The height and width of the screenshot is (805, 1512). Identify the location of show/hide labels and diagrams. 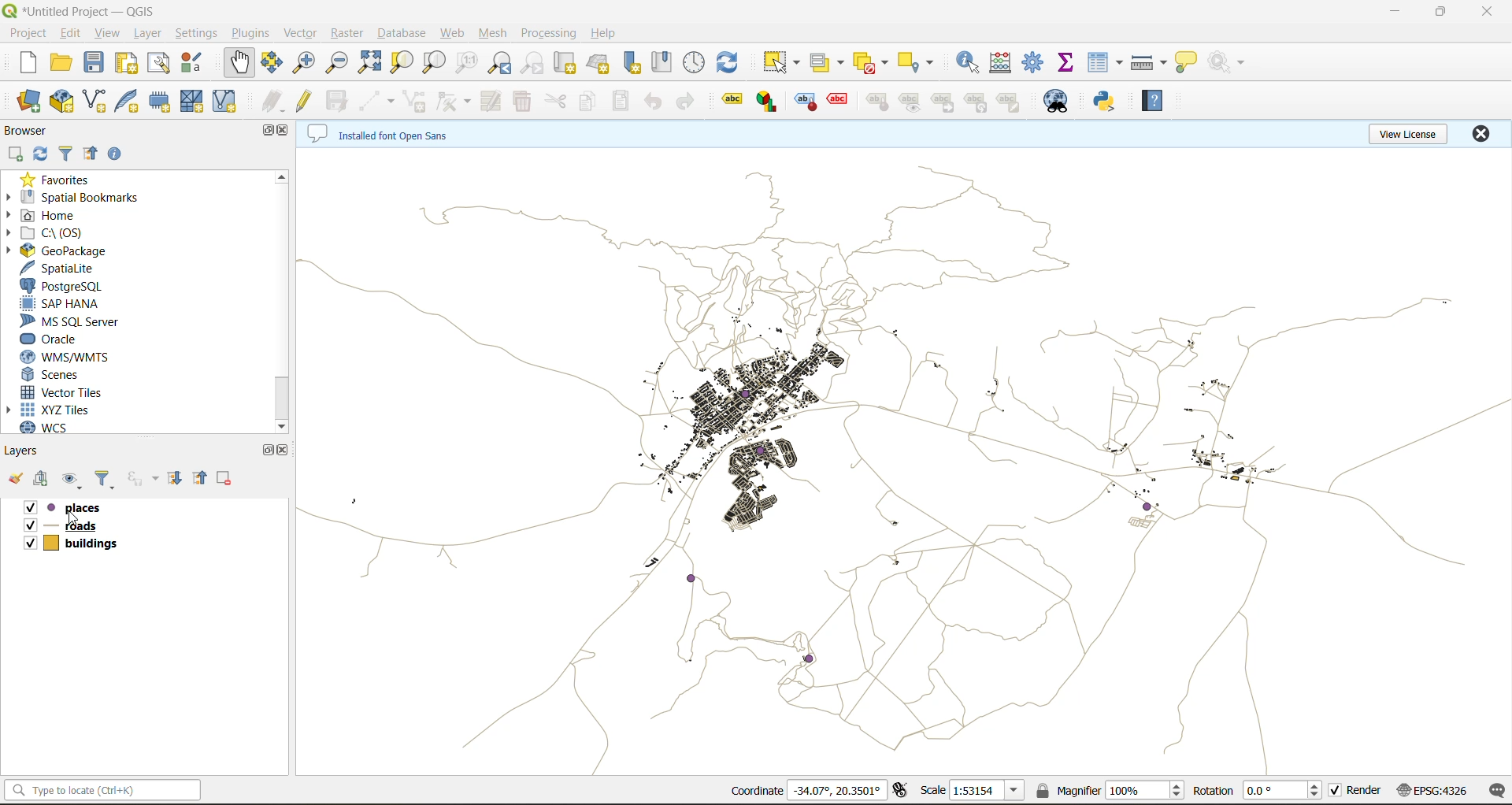
(913, 101).